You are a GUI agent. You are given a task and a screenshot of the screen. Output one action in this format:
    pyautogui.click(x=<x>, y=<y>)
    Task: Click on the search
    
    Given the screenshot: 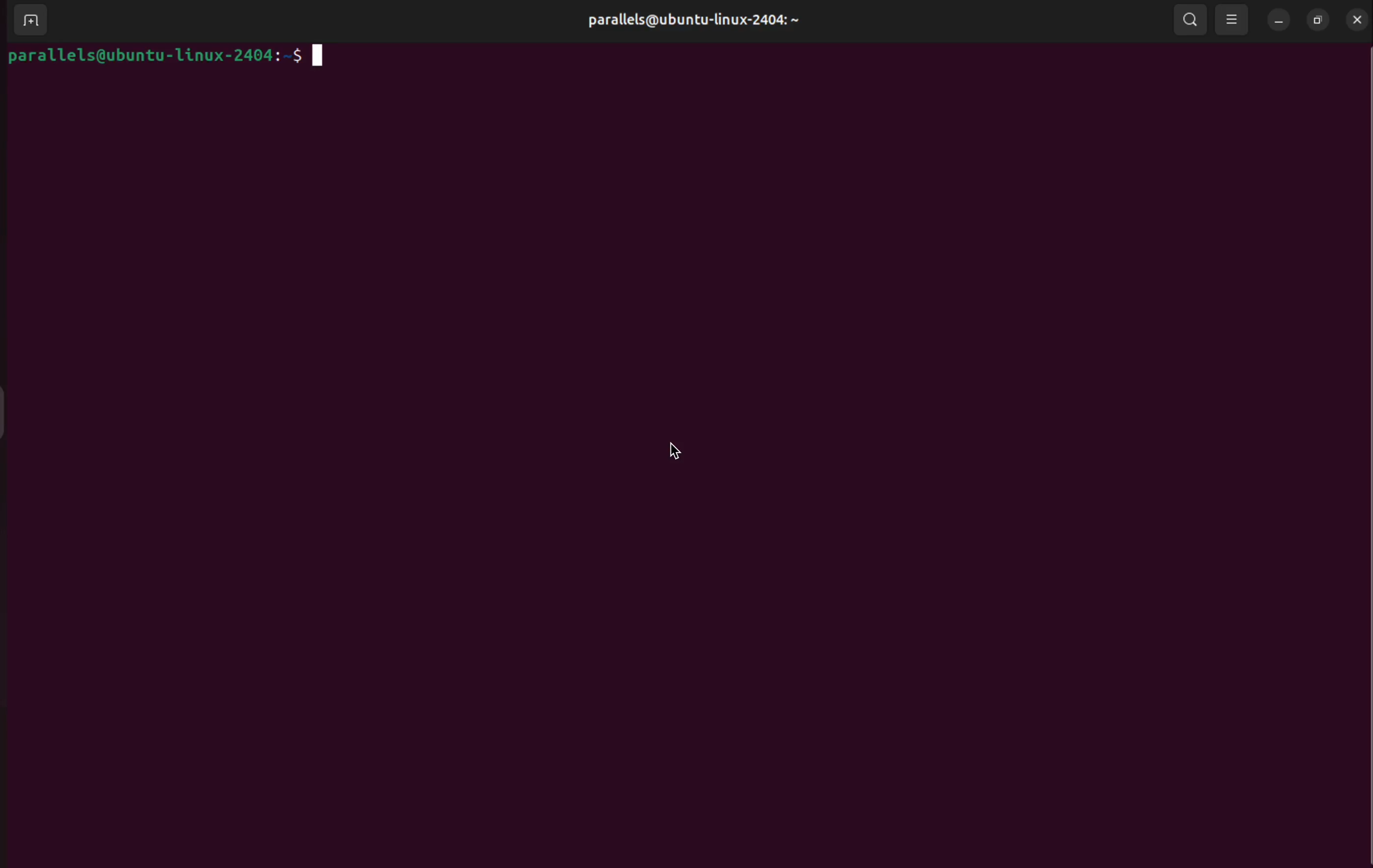 What is the action you would take?
    pyautogui.click(x=1191, y=21)
    